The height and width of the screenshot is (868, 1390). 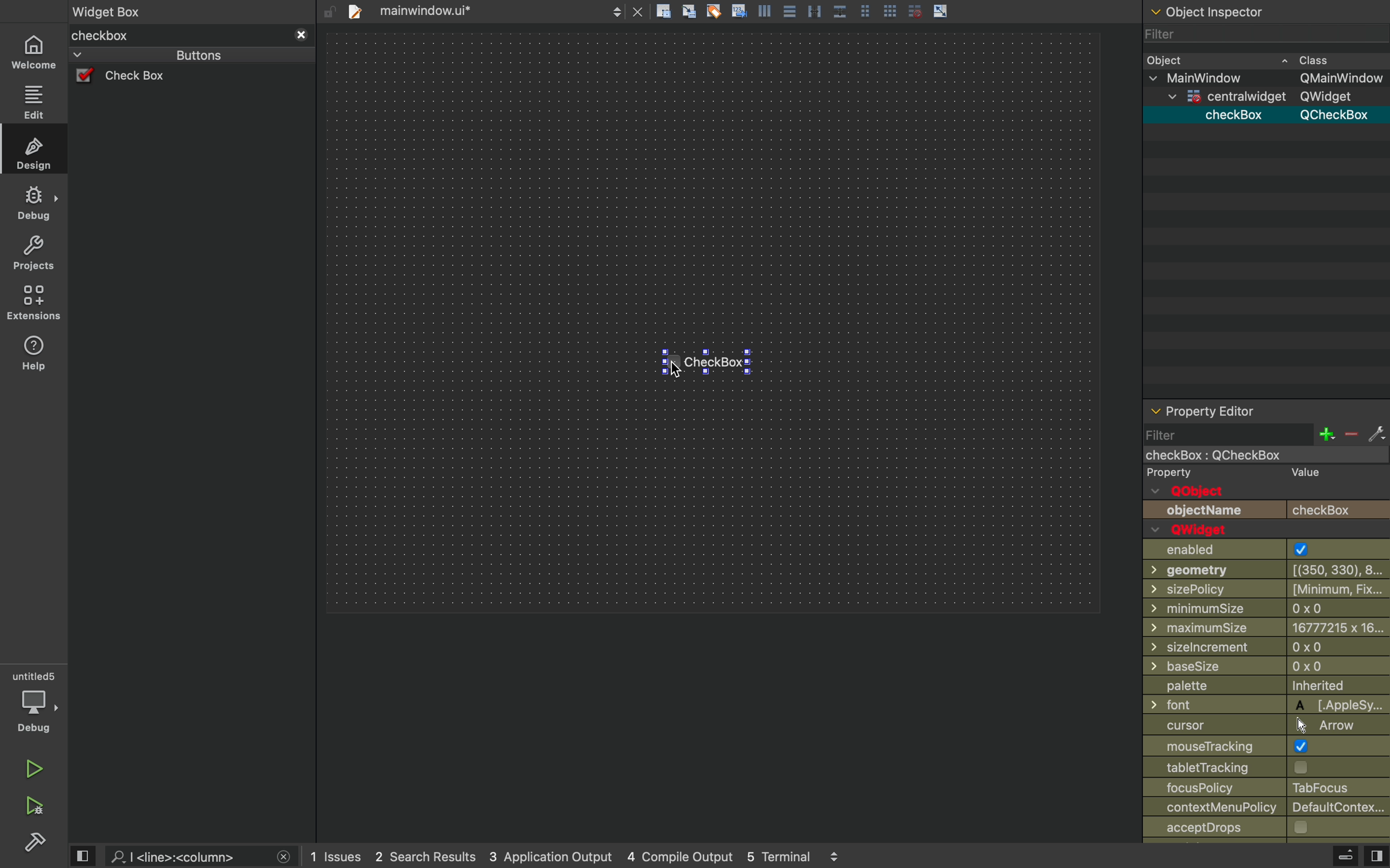 What do you see at coordinates (663, 11) in the screenshot?
I see `create rectangle` at bounding box center [663, 11].